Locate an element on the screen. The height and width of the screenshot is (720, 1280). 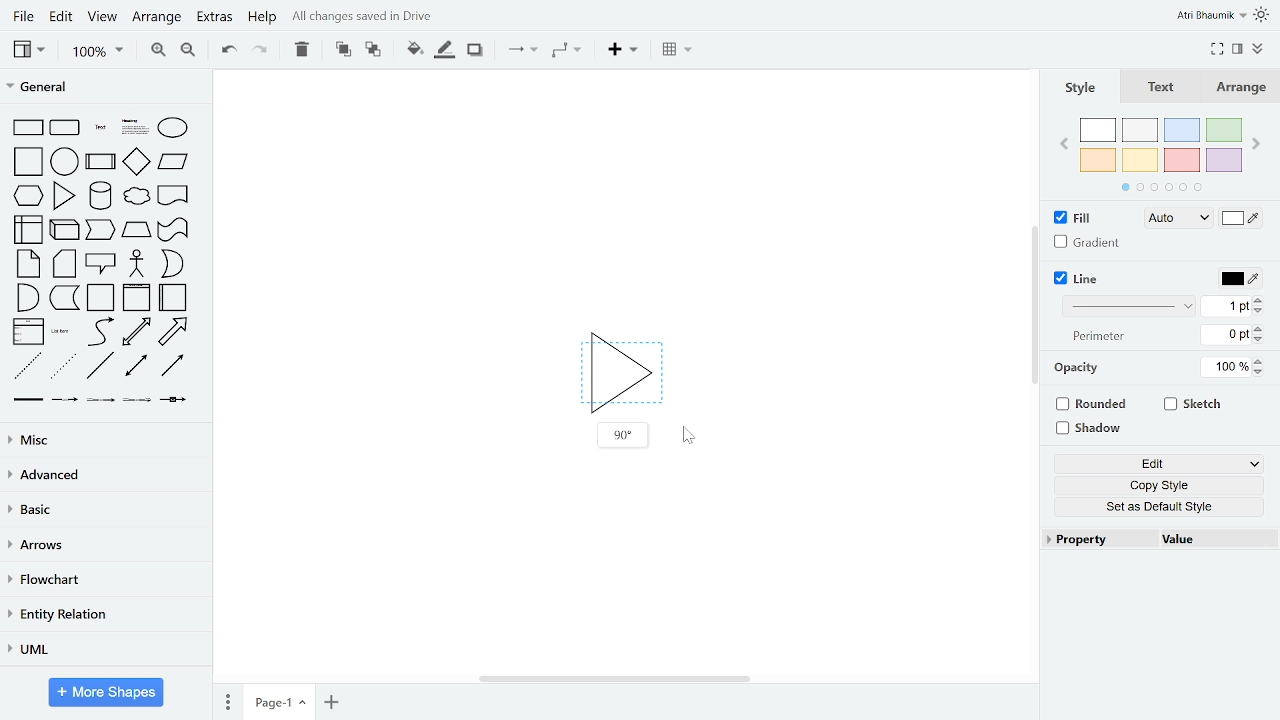
current opacity is located at coordinates (1223, 368).